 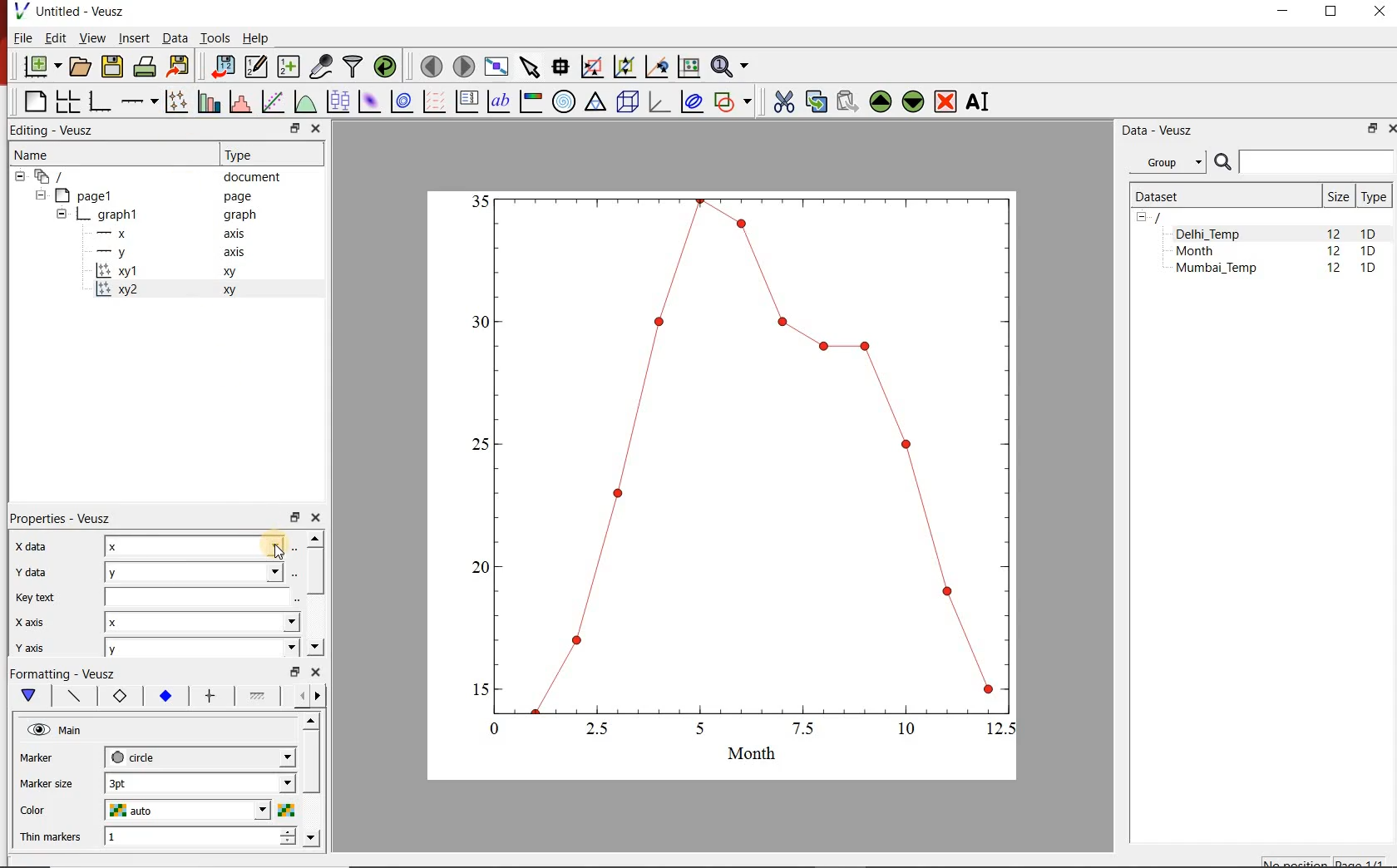 What do you see at coordinates (151, 175) in the screenshot?
I see `document` at bounding box center [151, 175].